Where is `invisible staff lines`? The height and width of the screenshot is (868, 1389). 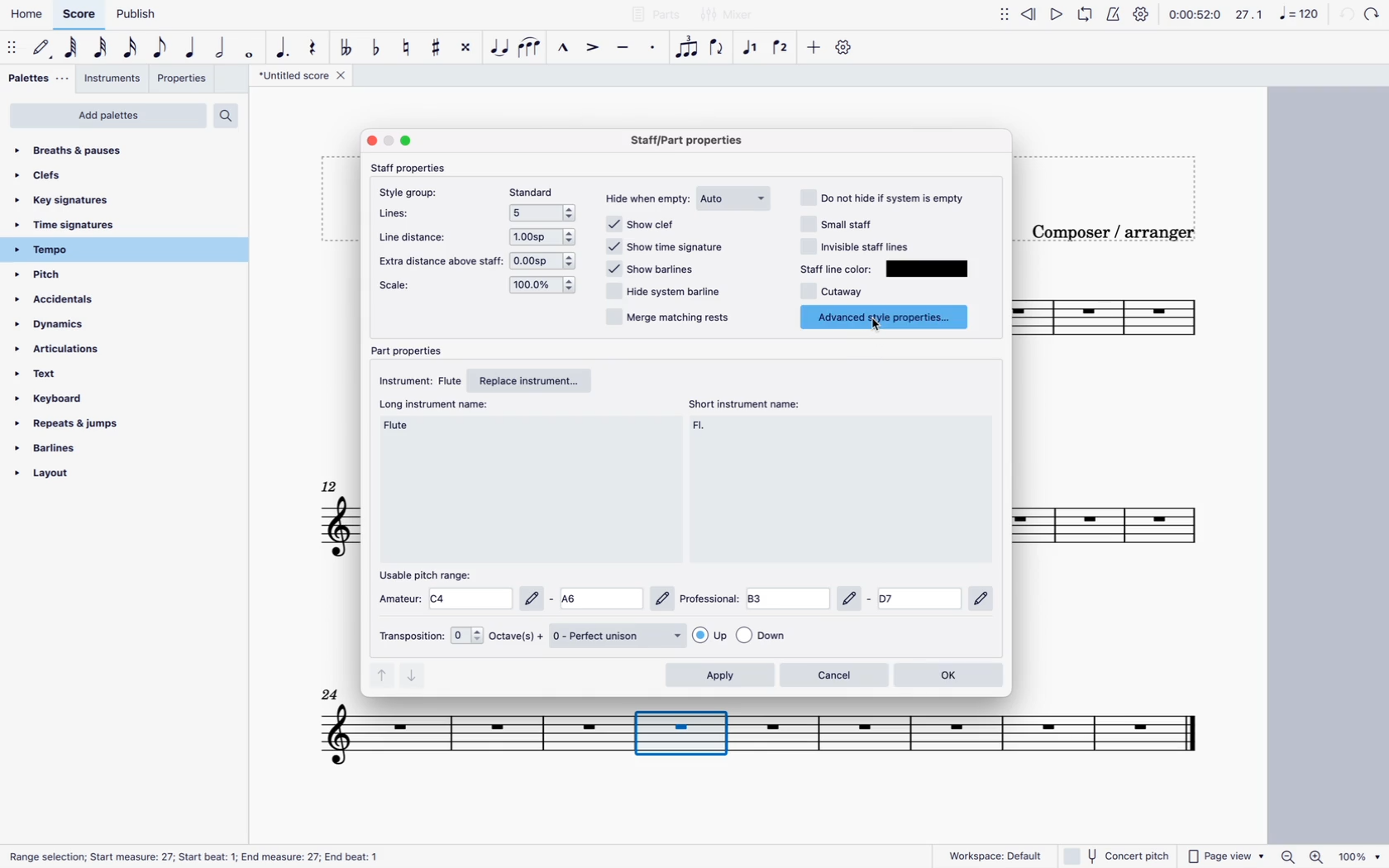
invisible staff lines is located at coordinates (857, 246).